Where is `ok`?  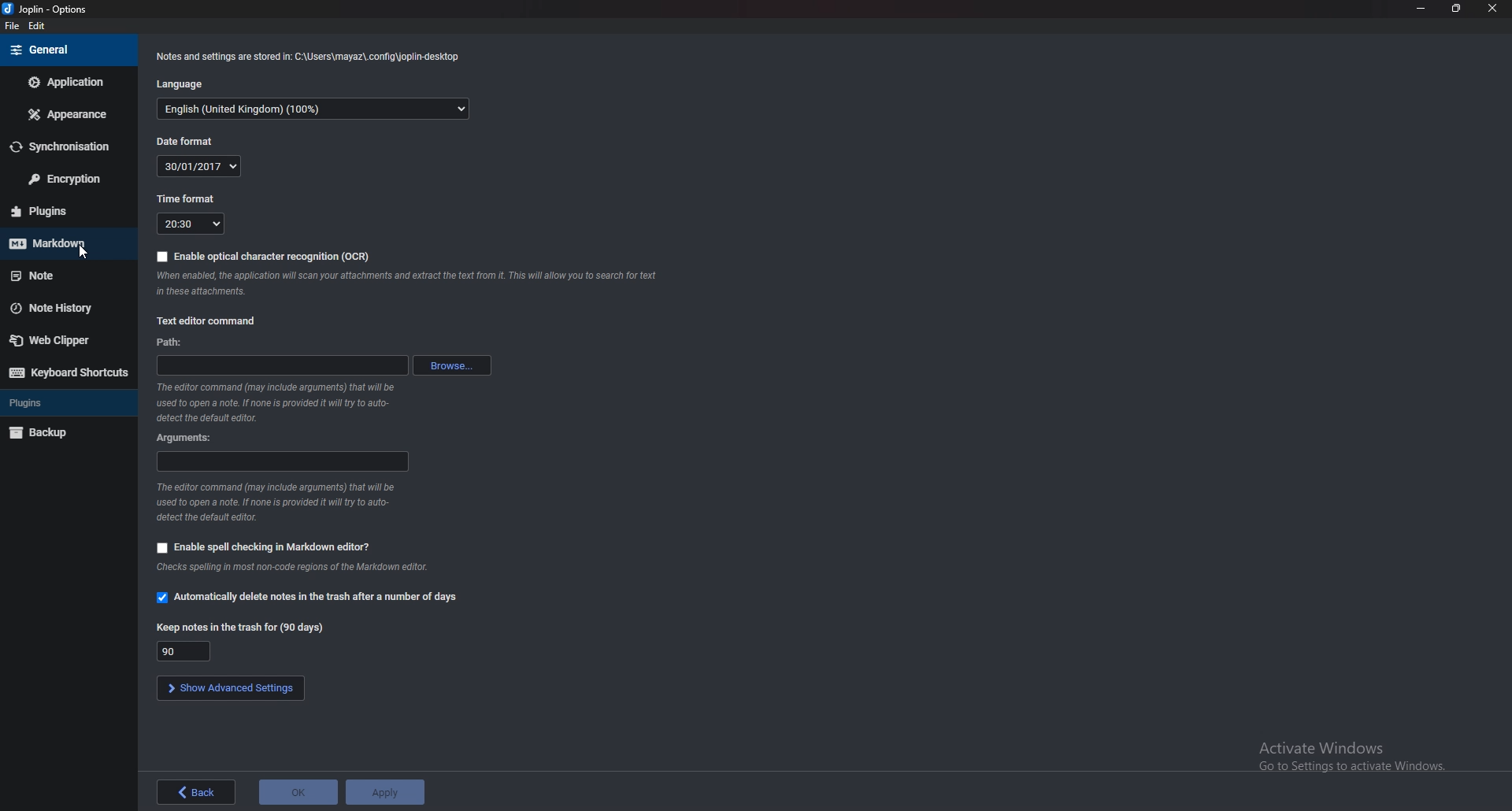
ok is located at coordinates (296, 790).